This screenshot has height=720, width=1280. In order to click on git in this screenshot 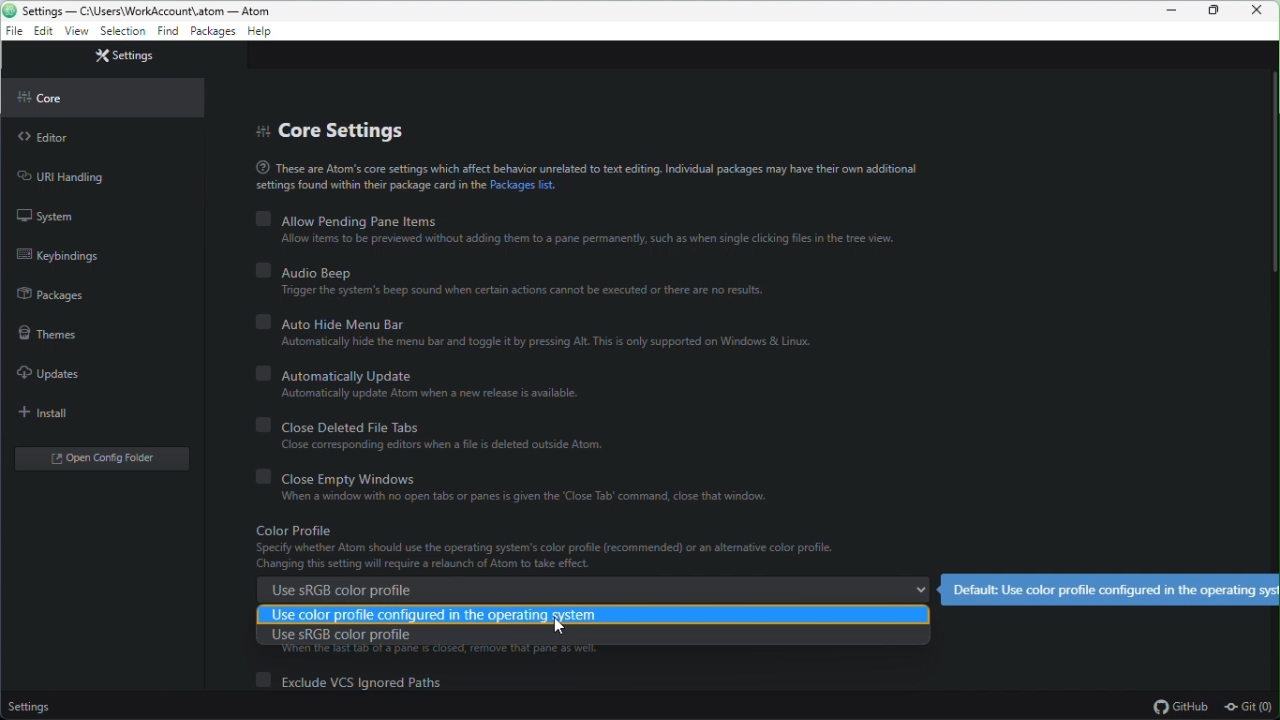, I will do `click(1252, 708)`.